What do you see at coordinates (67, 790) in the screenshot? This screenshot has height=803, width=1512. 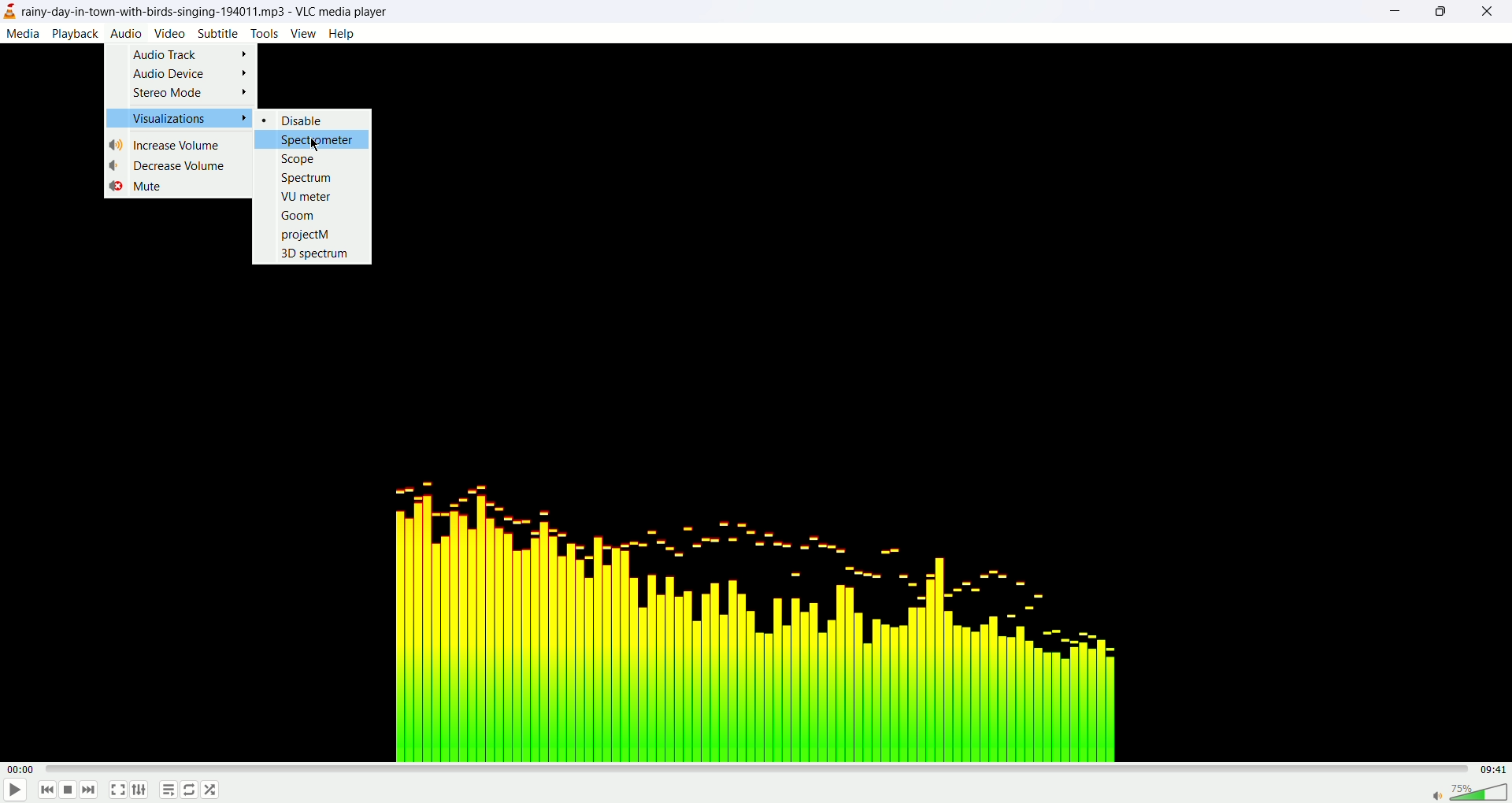 I see `stop` at bounding box center [67, 790].